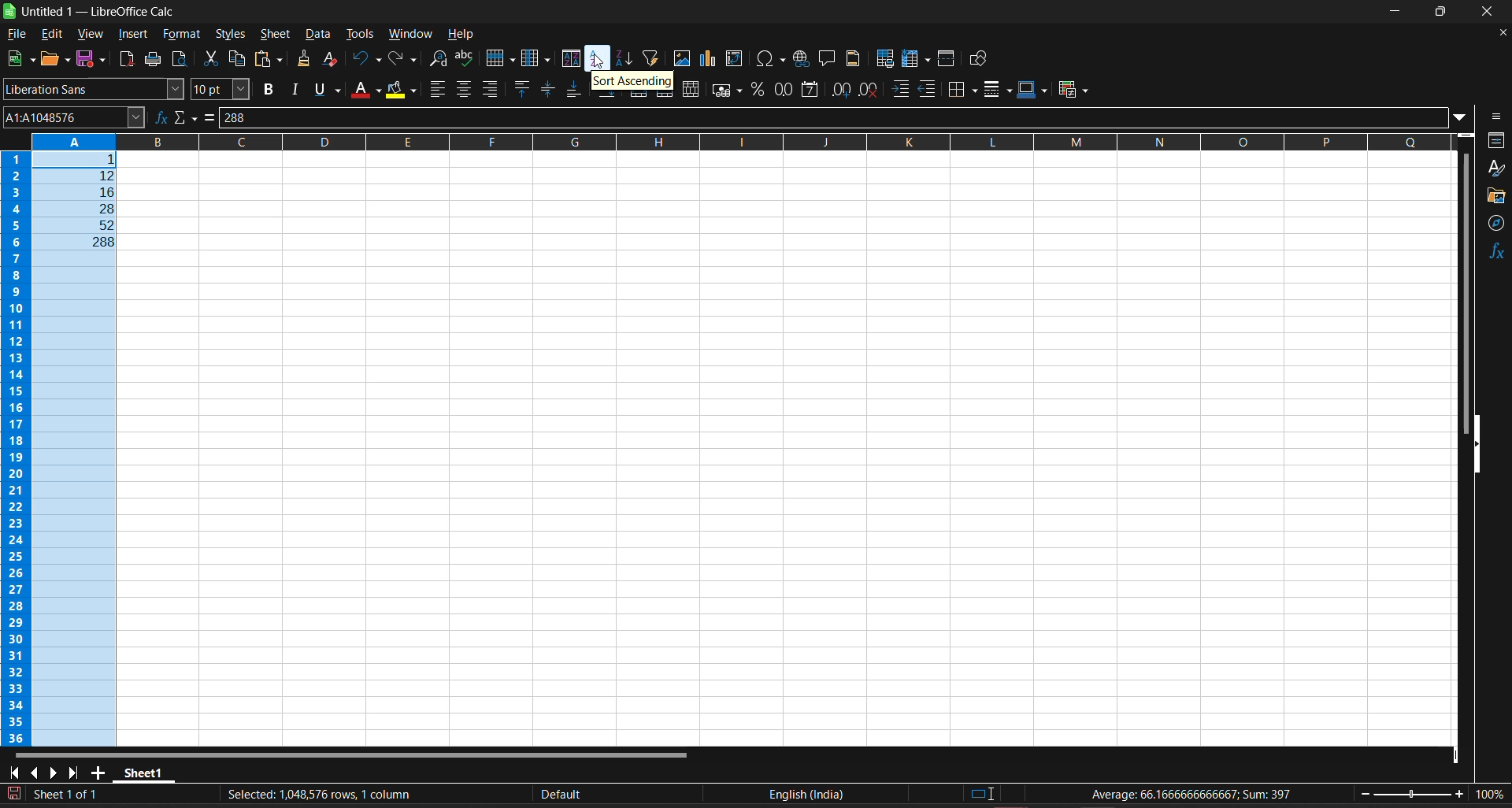 The height and width of the screenshot is (808, 1512). Describe the element at coordinates (546, 89) in the screenshot. I see `center vertically` at that location.